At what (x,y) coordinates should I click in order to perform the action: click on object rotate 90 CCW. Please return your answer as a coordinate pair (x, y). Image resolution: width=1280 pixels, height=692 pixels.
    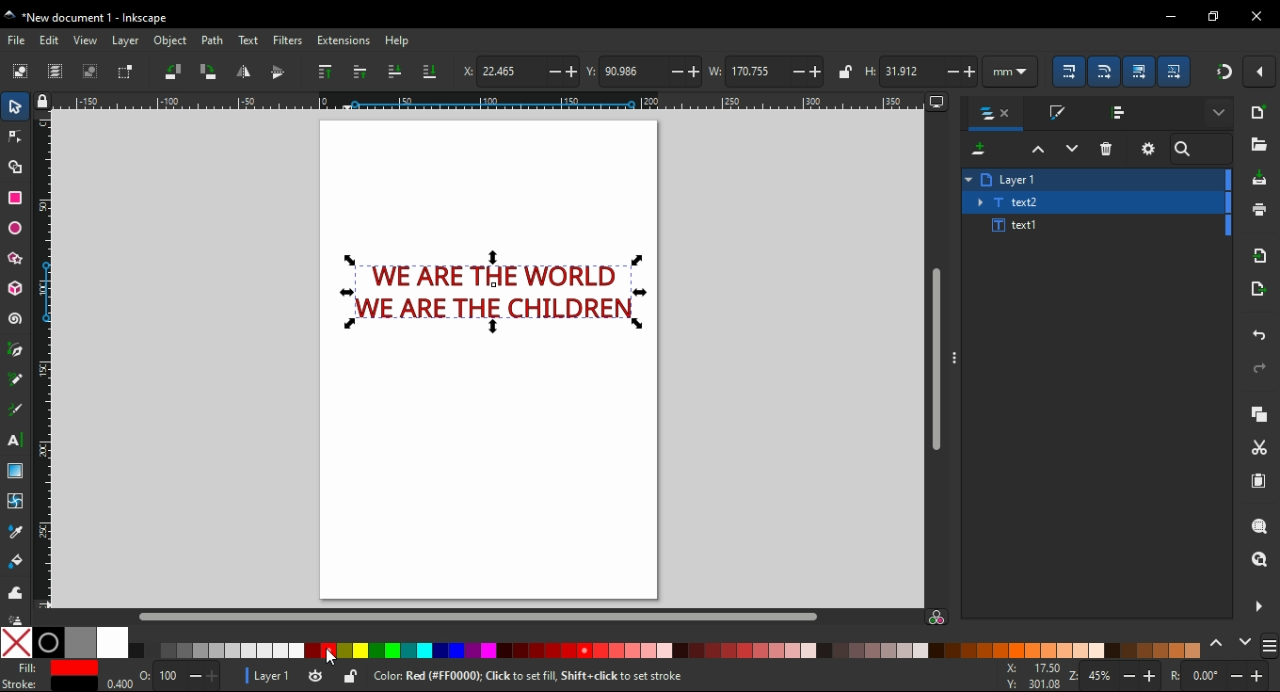
    Looking at the image, I should click on (169, 71).